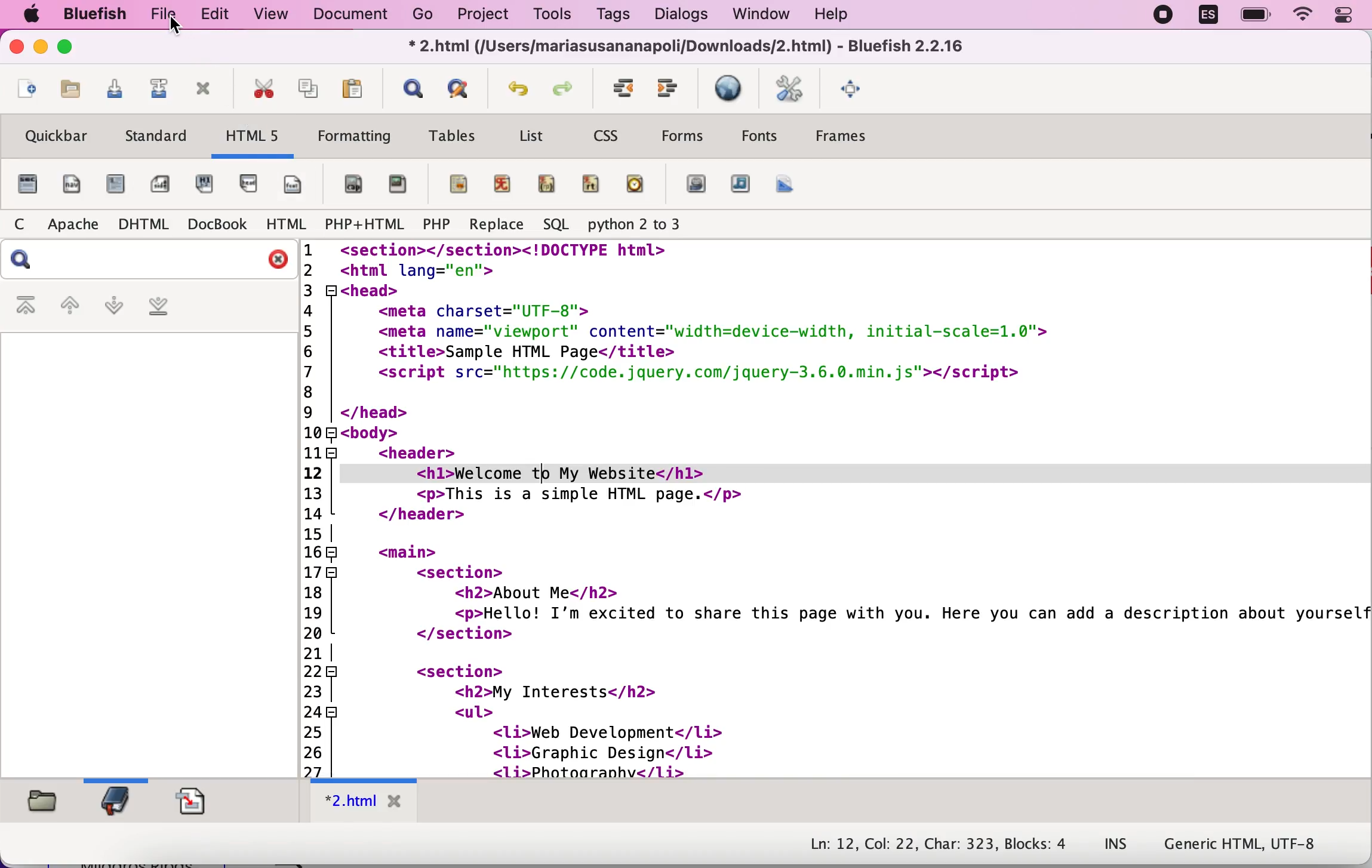  Describe the element at coordinates (534, 136) in the screenshot. I see `list` at that location.